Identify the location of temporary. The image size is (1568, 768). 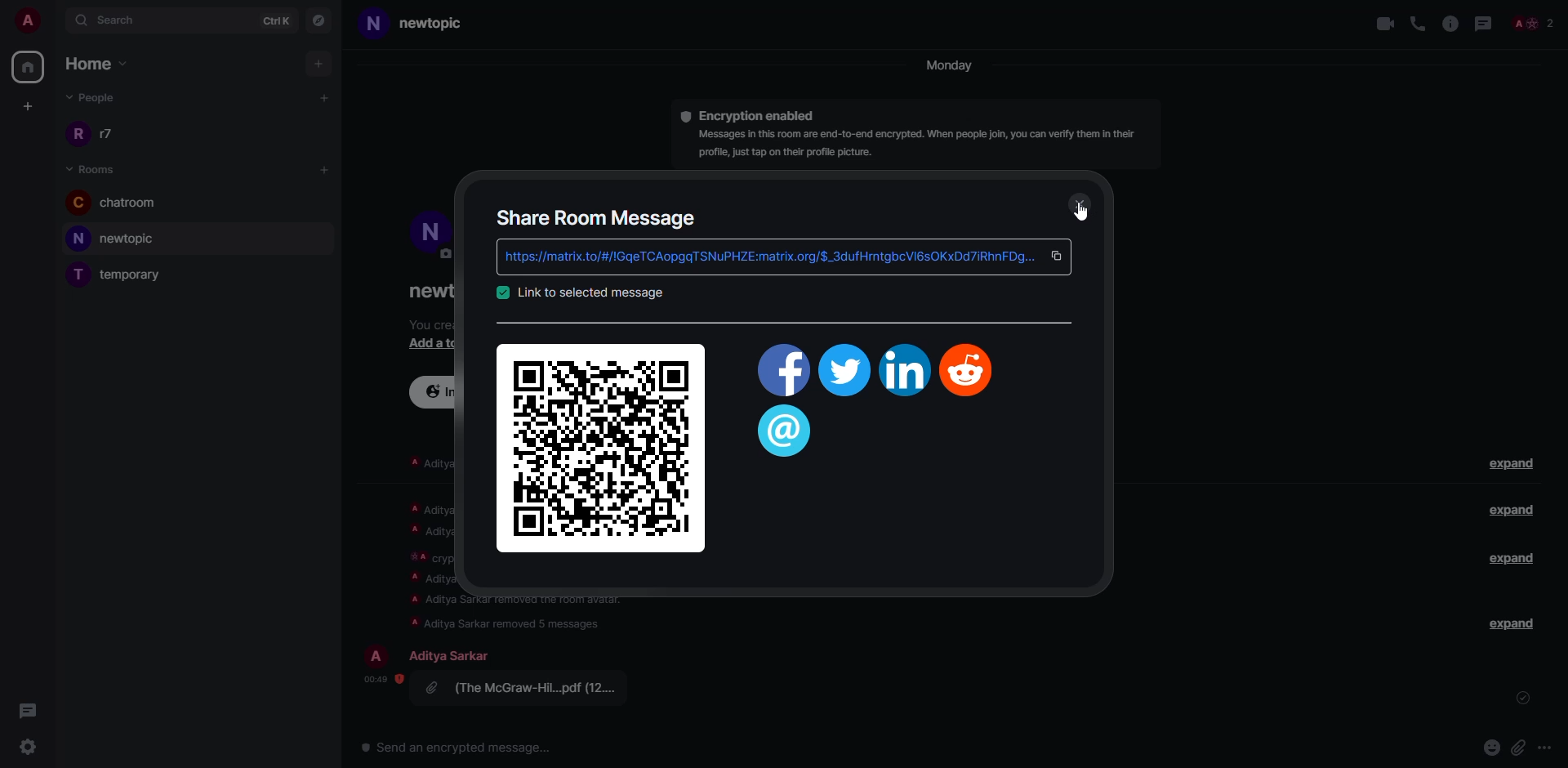
(125, 274).